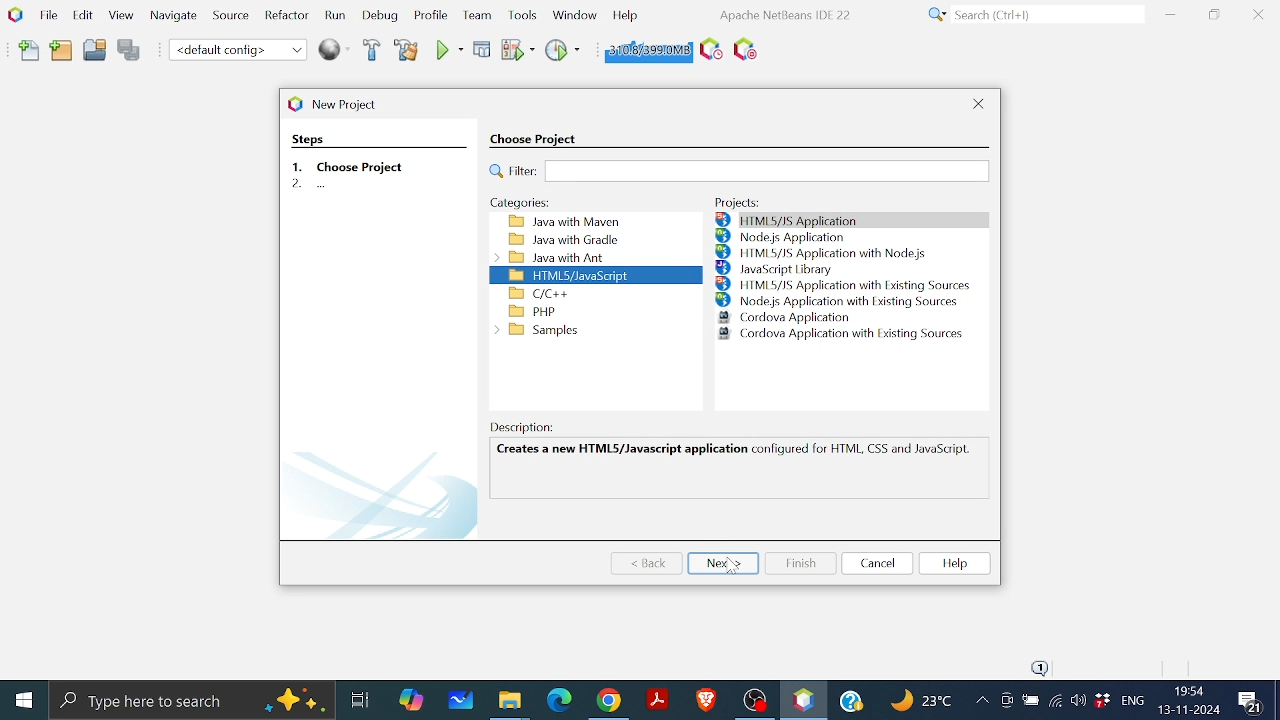 Image resolution: width=1280 pixels, height=720 pixels. What do you see at coordinates (528, 139) in the screenshot?
I see `choose project` at bounding box center [528, 139].